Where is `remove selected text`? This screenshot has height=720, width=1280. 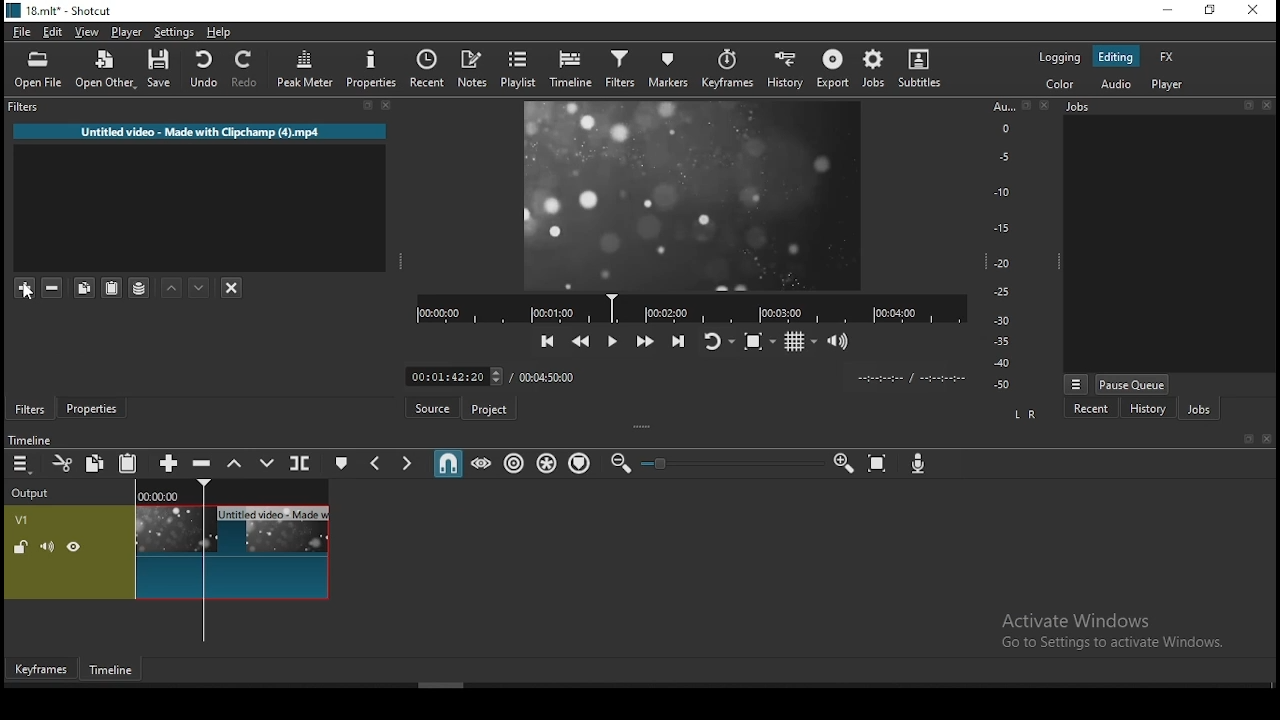
remove selected text is located at coordinates (55, 288).